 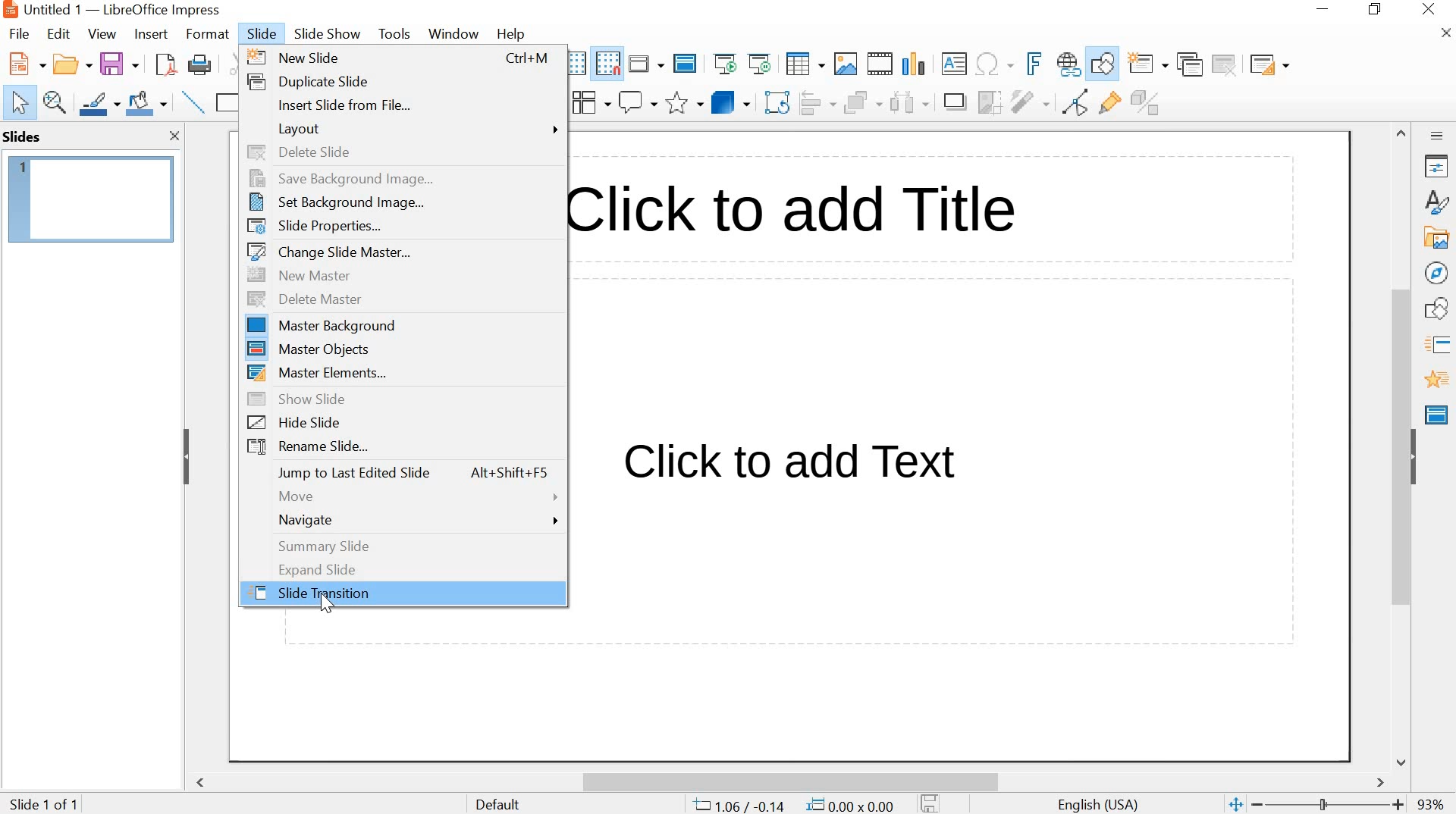 I want to click on master background, so click(x=401, y=327).